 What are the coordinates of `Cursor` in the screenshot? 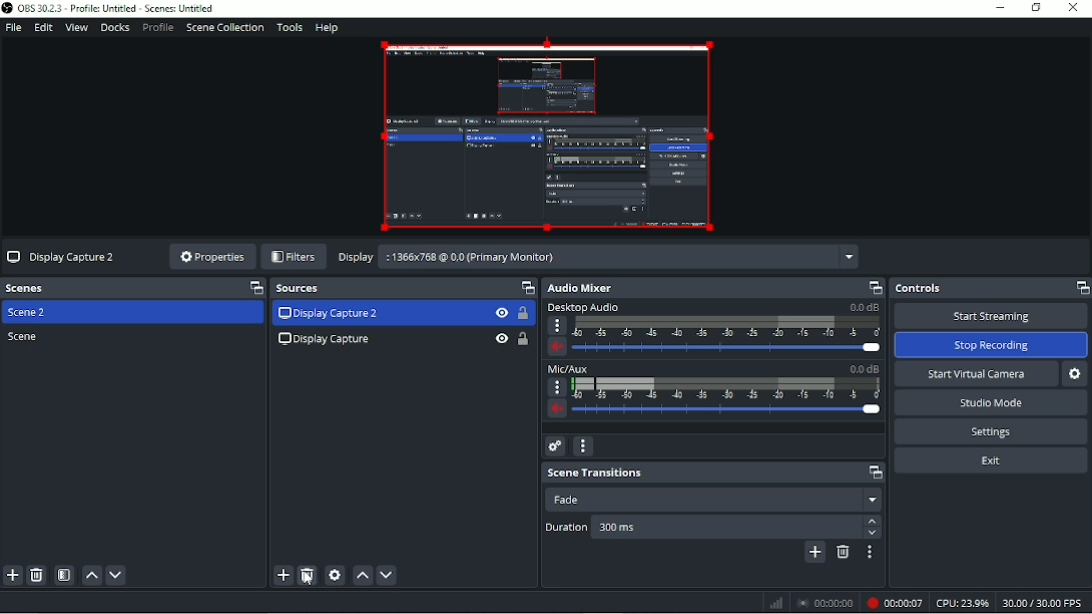 It's located at (616, 333).